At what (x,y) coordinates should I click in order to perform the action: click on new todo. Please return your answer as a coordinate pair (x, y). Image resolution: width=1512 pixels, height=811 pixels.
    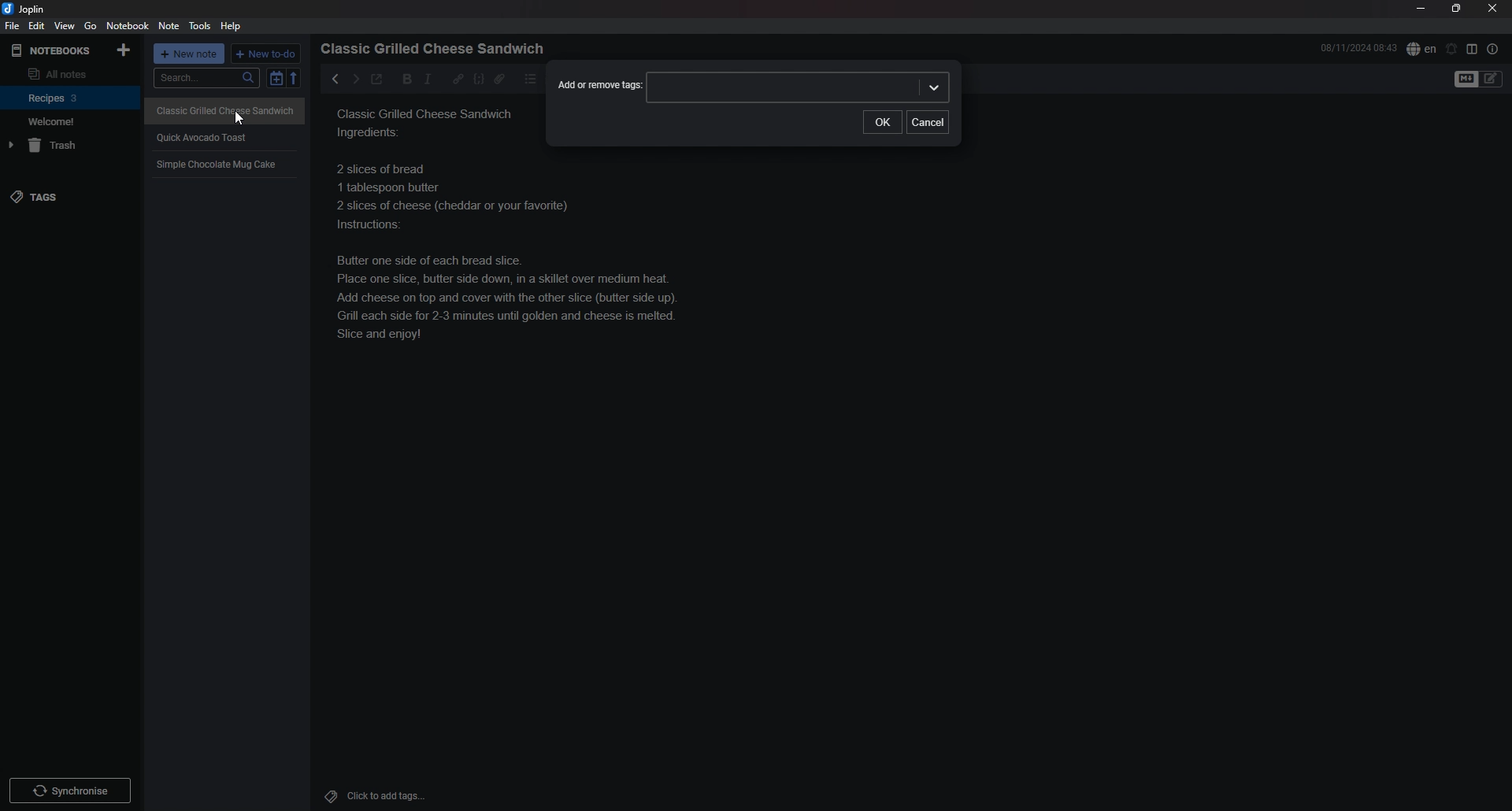
    Looking at the image, I should click on (267, 54).